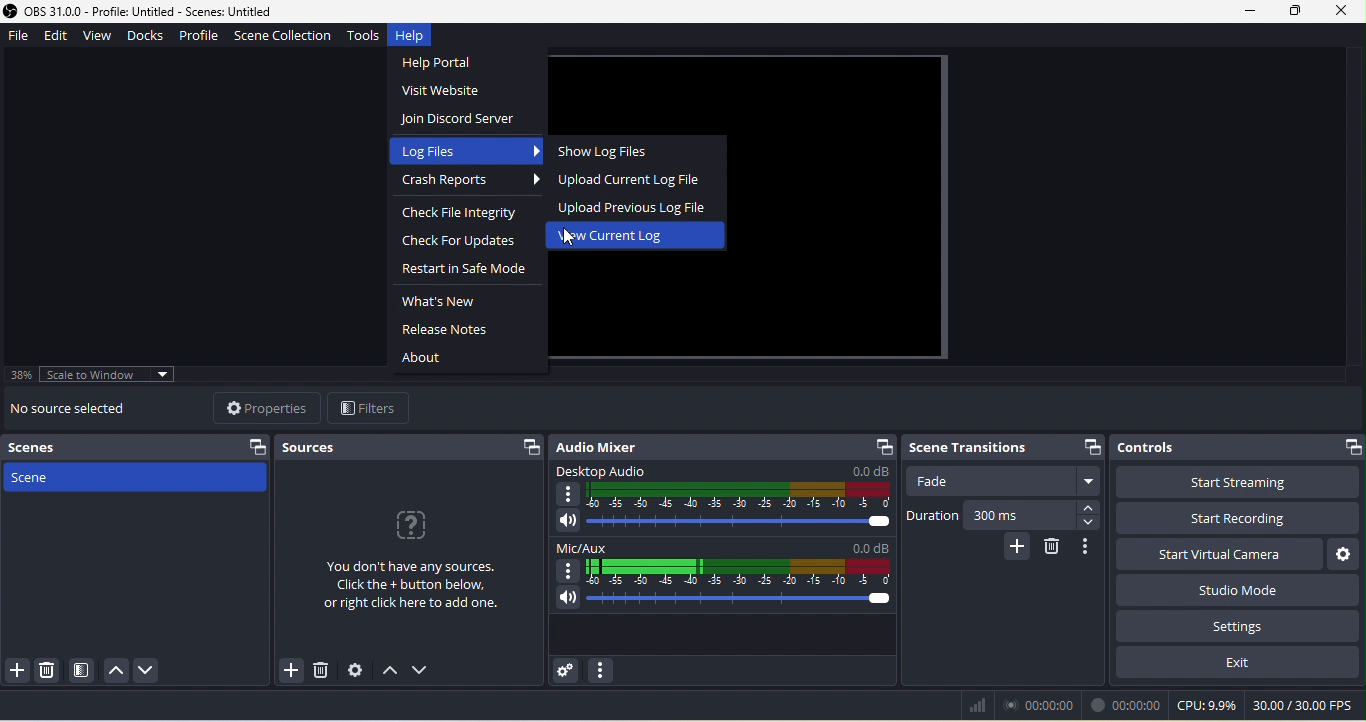 This screenshot has width=1366, height=722. Describe the element at coordinates (930, 518) in the screenshot. I see `duration` at that location.